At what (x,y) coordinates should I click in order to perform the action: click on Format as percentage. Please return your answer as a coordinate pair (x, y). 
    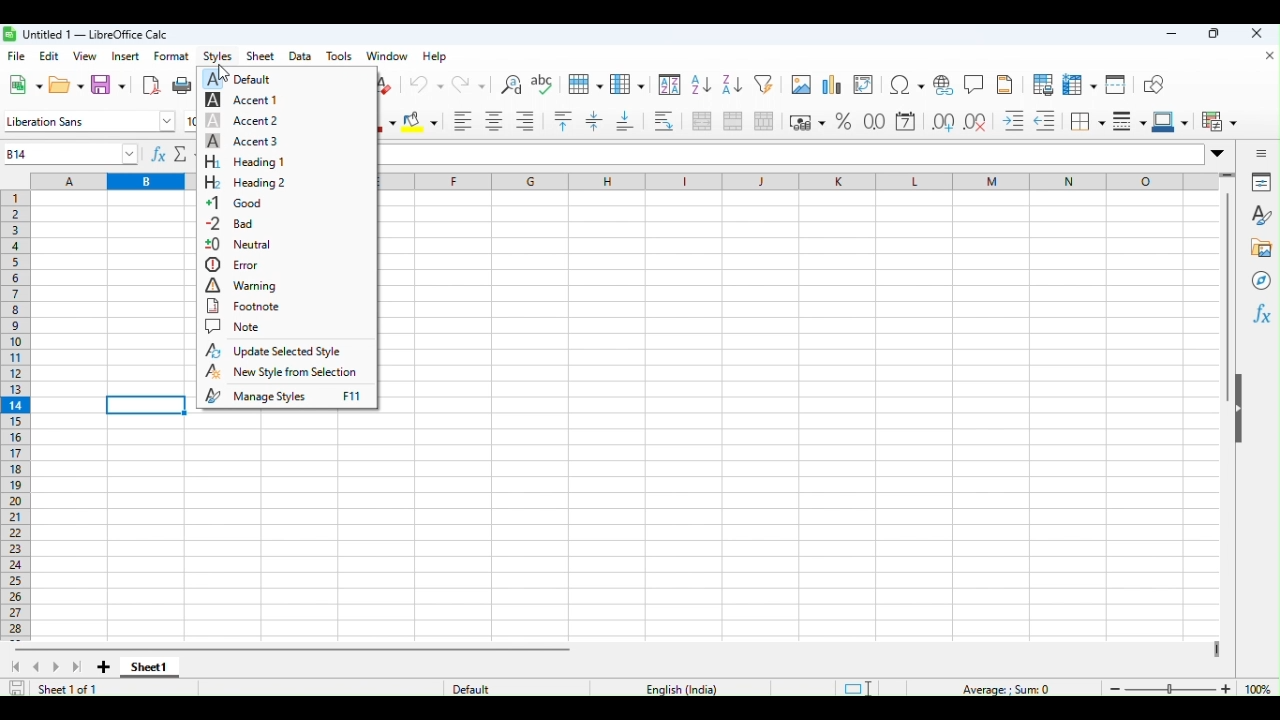
    Looking at the image, I should click on (847, 121).